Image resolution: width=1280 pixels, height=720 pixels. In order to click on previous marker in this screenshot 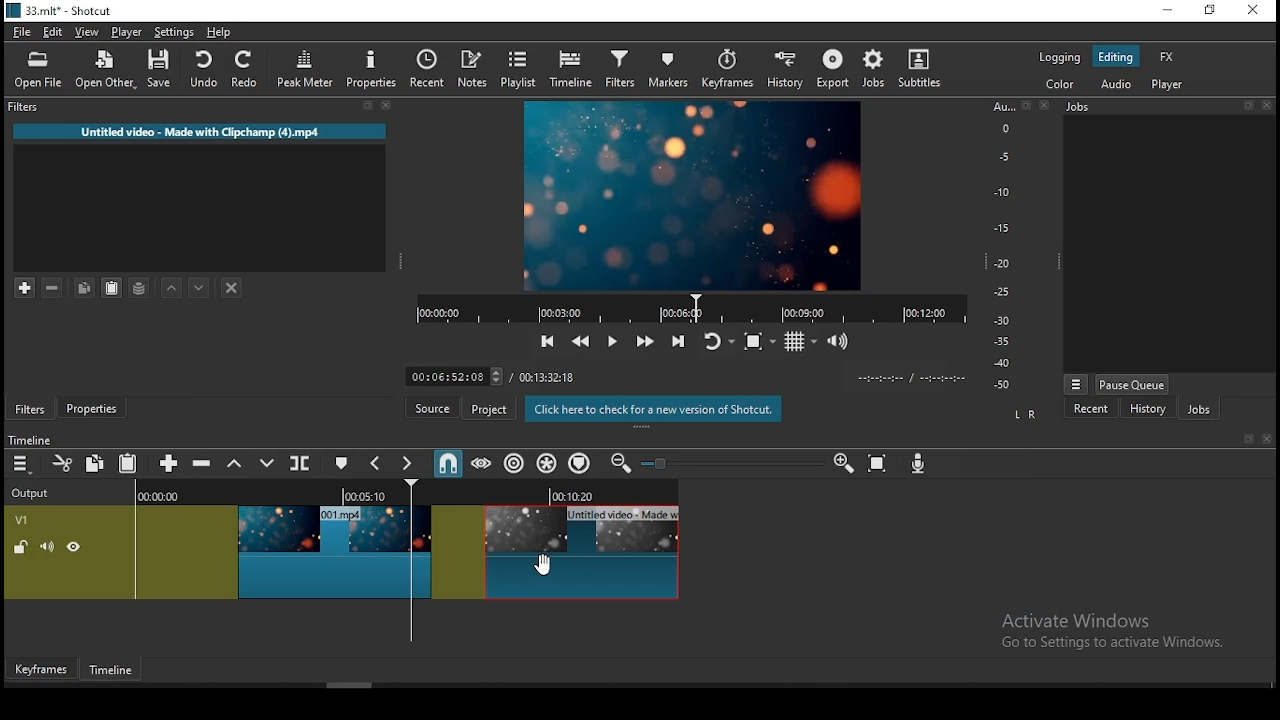, I will do `click(380, 465)`.